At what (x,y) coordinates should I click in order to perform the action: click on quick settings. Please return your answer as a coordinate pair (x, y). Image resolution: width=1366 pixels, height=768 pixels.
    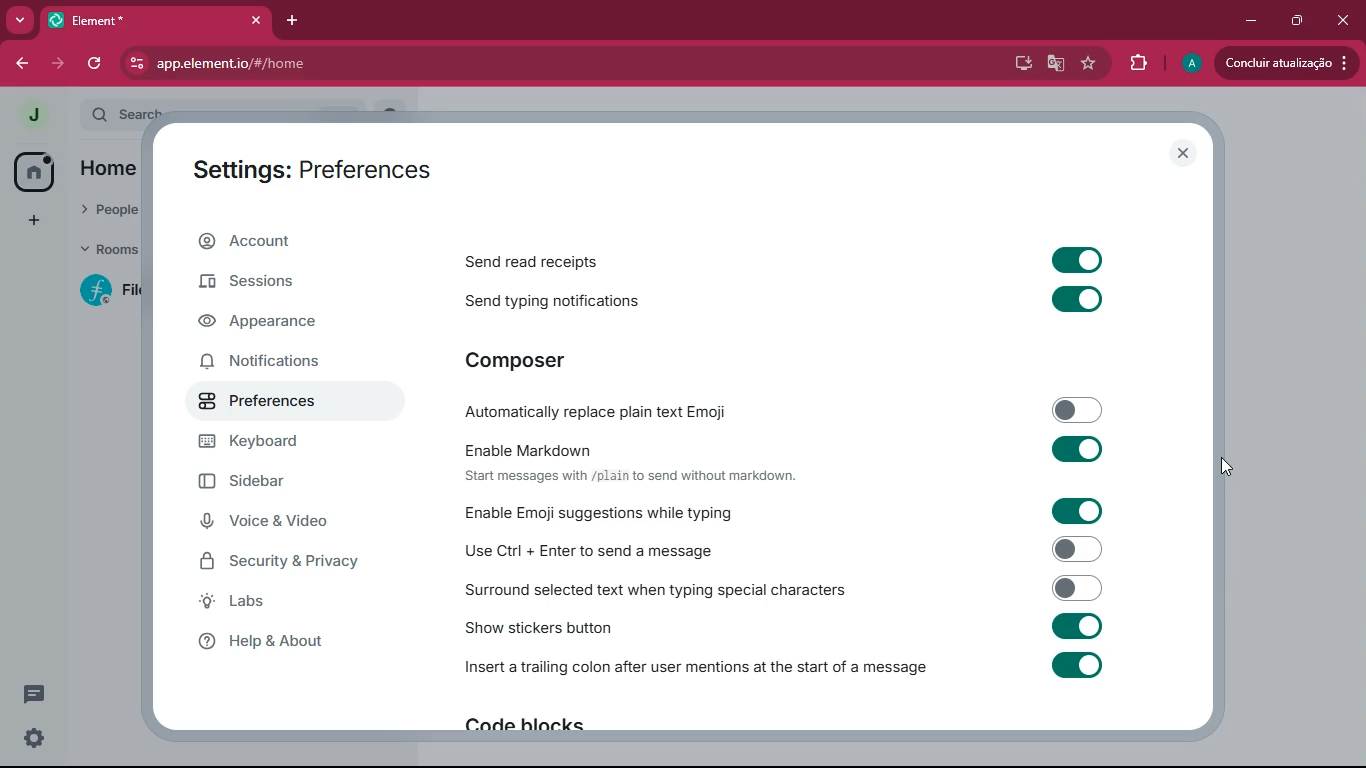
    Looking at the image, I should click on (32, 735).